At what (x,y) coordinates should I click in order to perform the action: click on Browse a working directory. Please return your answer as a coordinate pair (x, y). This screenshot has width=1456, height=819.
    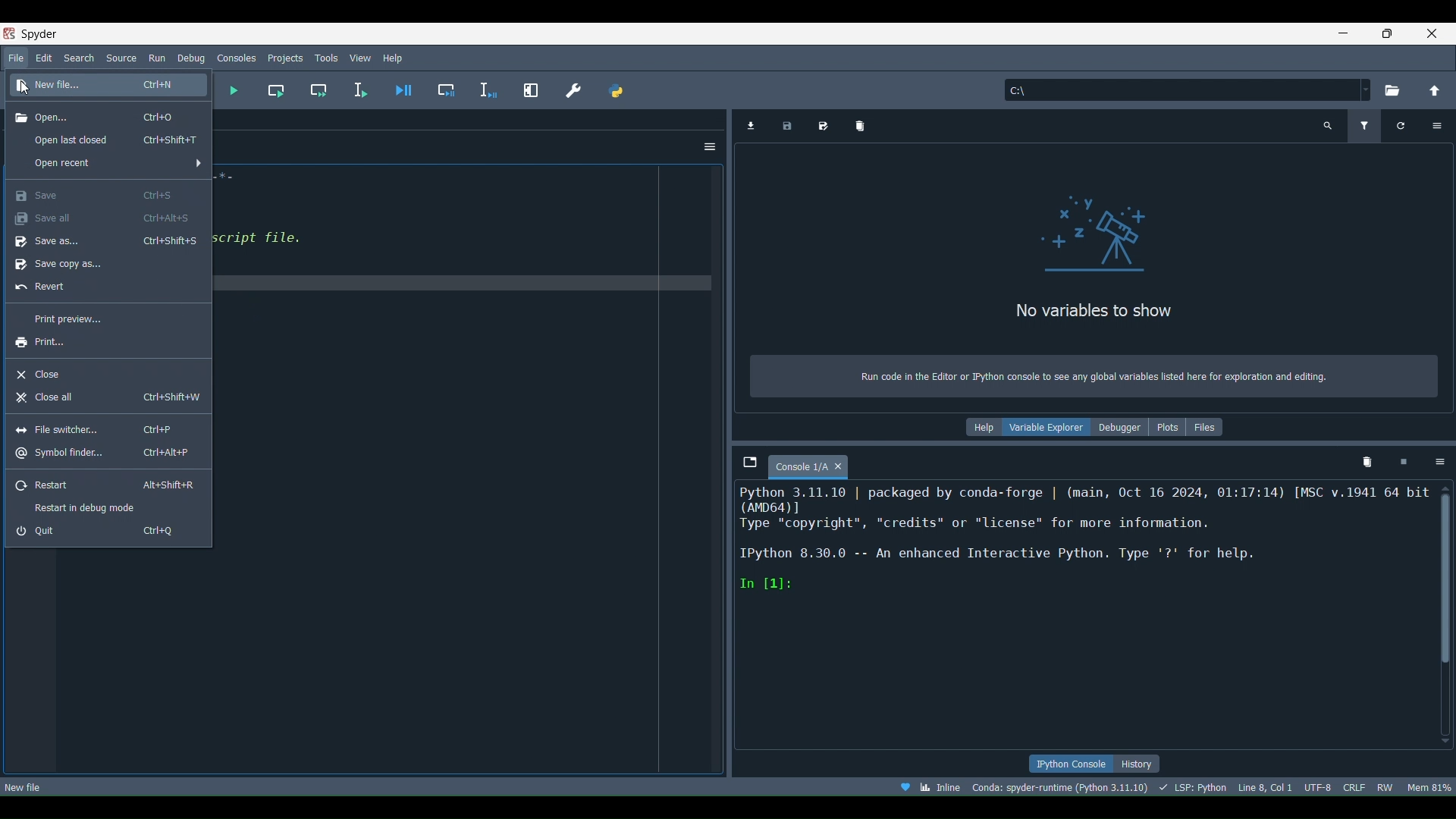
    Looking at the image, I should click on (1393, 91).